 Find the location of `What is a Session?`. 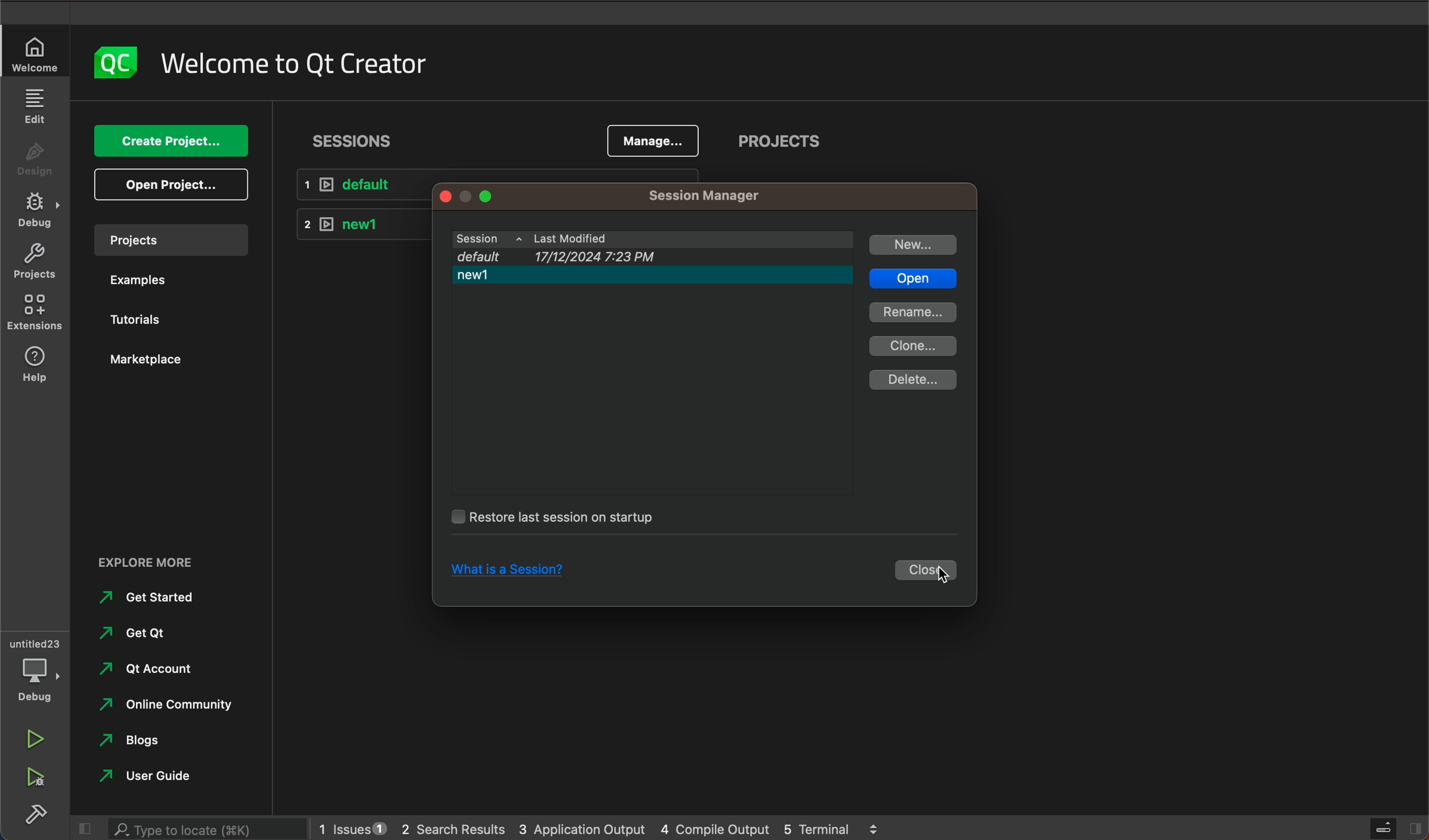

What is a Session? is located at coordinates (515, 572).